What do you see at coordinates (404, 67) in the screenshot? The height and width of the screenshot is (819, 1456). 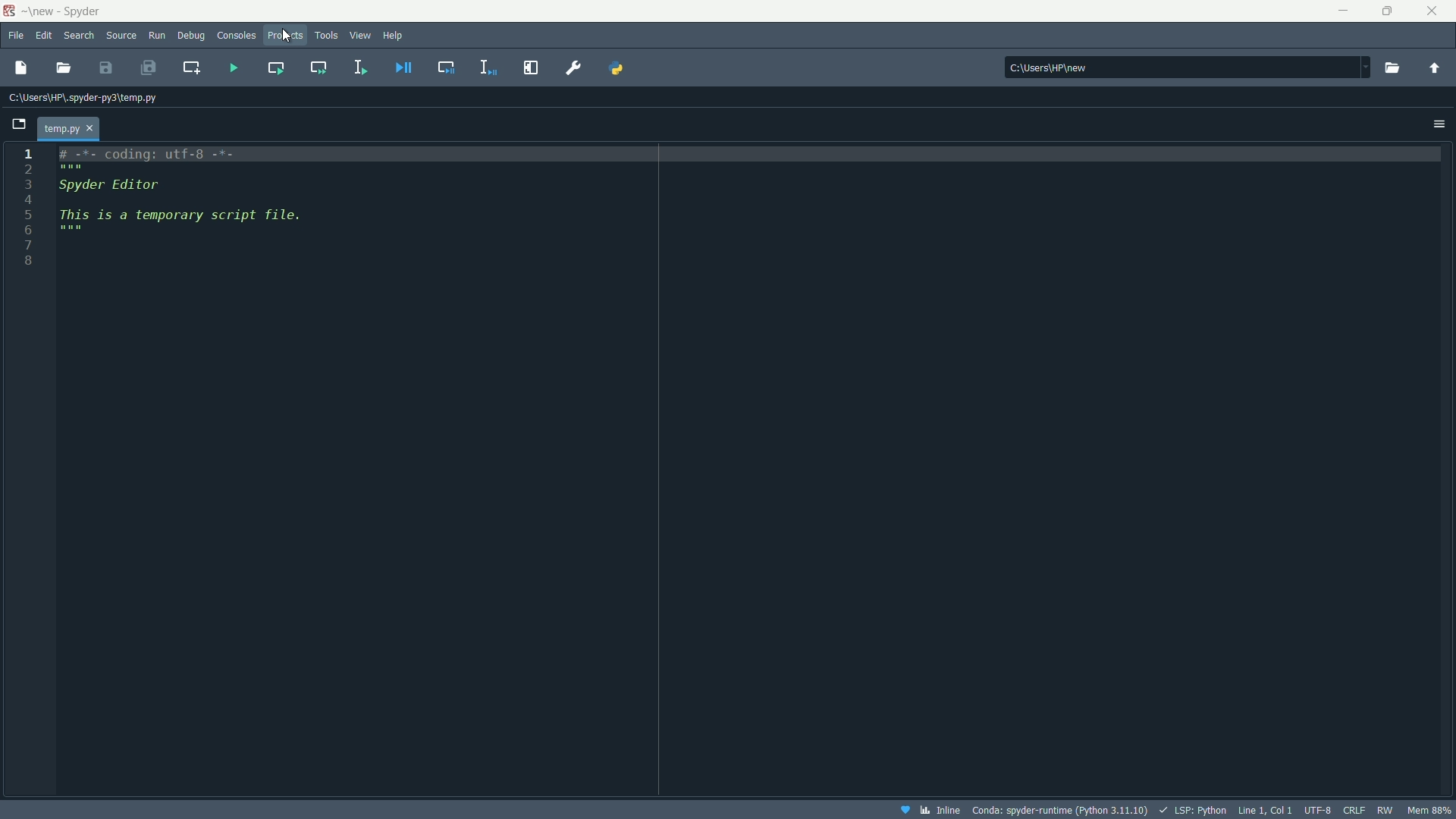 I see `Debug file` at bounding box center [404, 67].